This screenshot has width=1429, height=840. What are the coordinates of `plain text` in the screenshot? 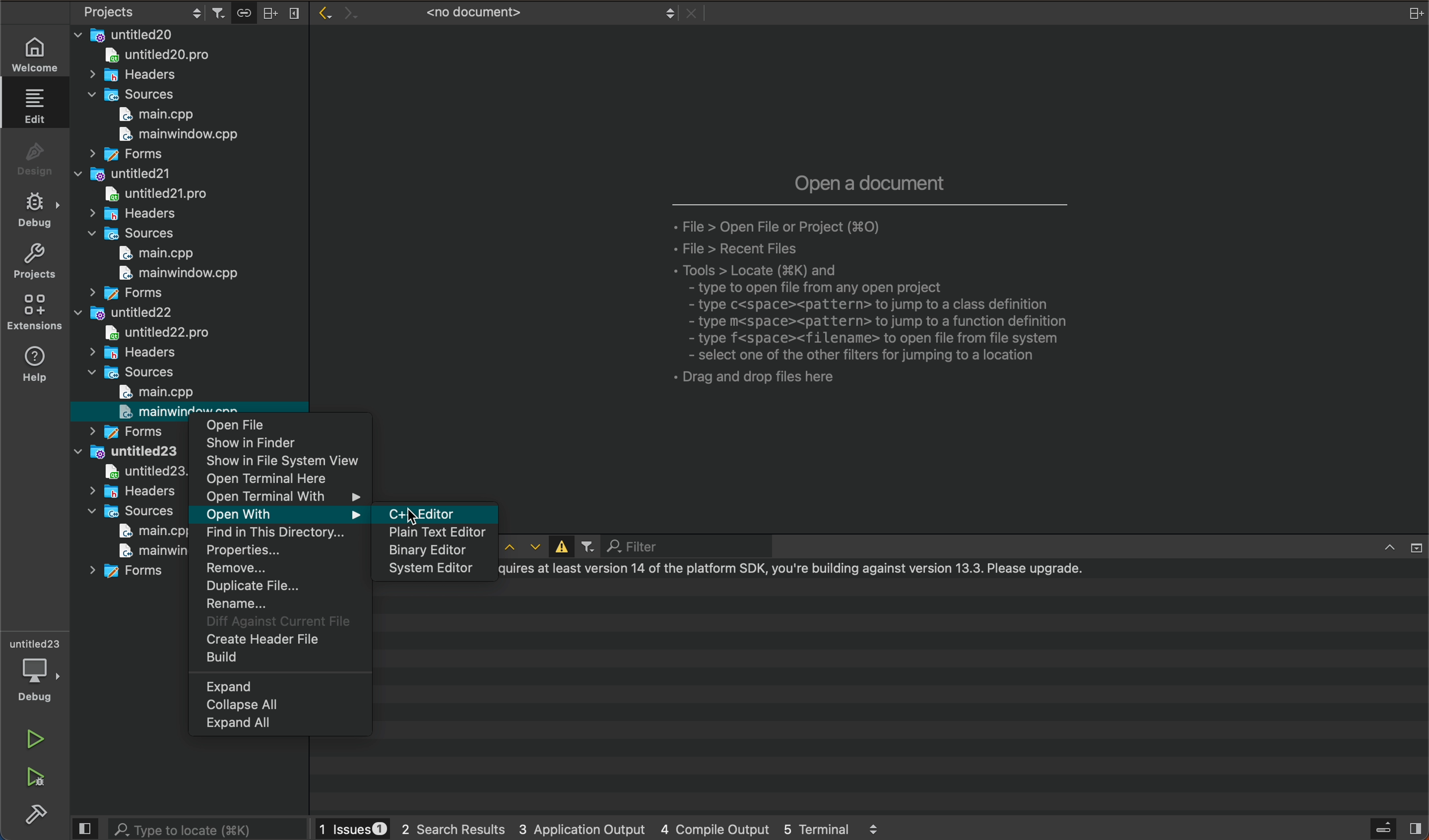 It's located at (433, 533).